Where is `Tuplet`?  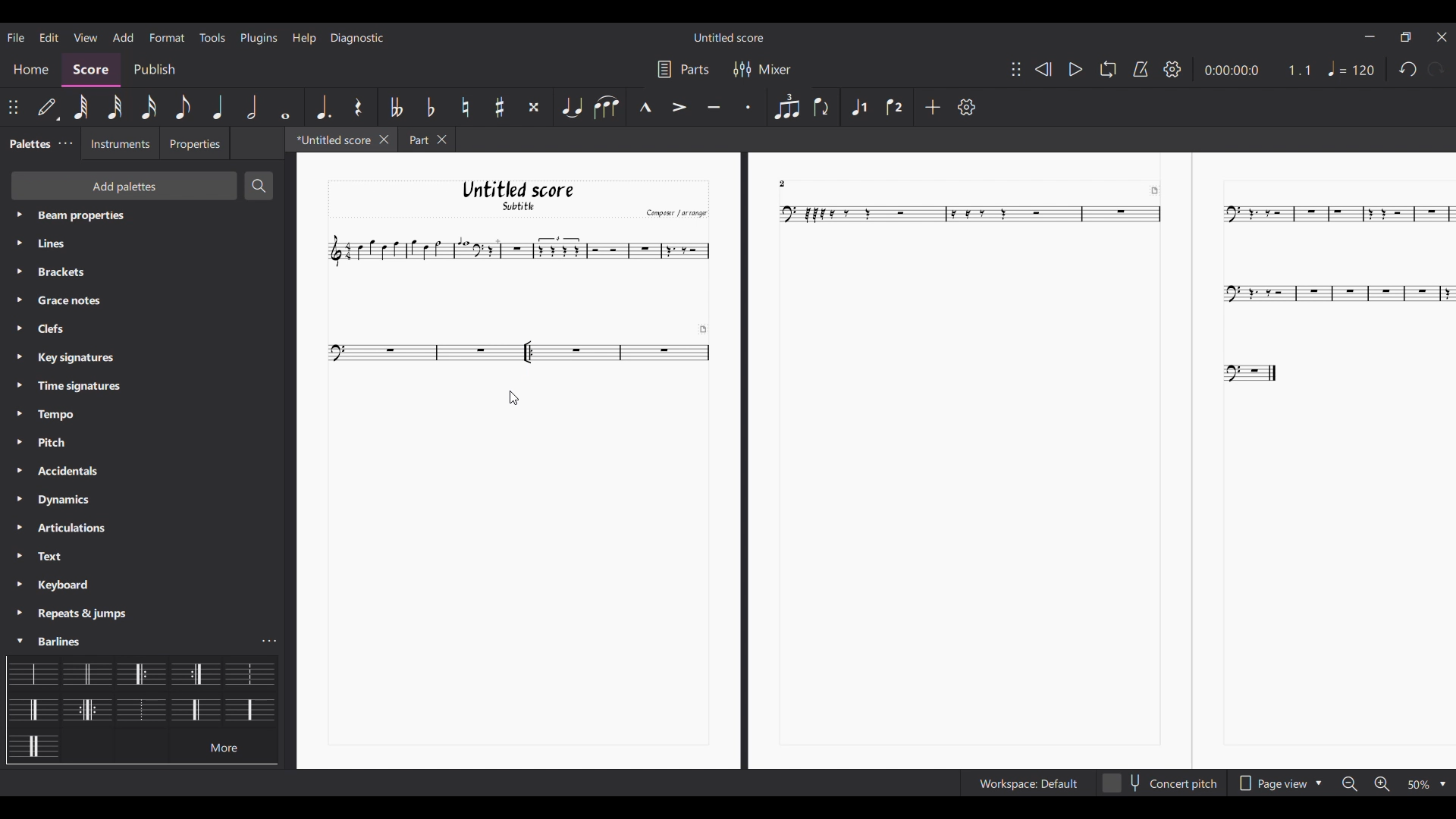 Tuplet is located at coordinates (787, 107).